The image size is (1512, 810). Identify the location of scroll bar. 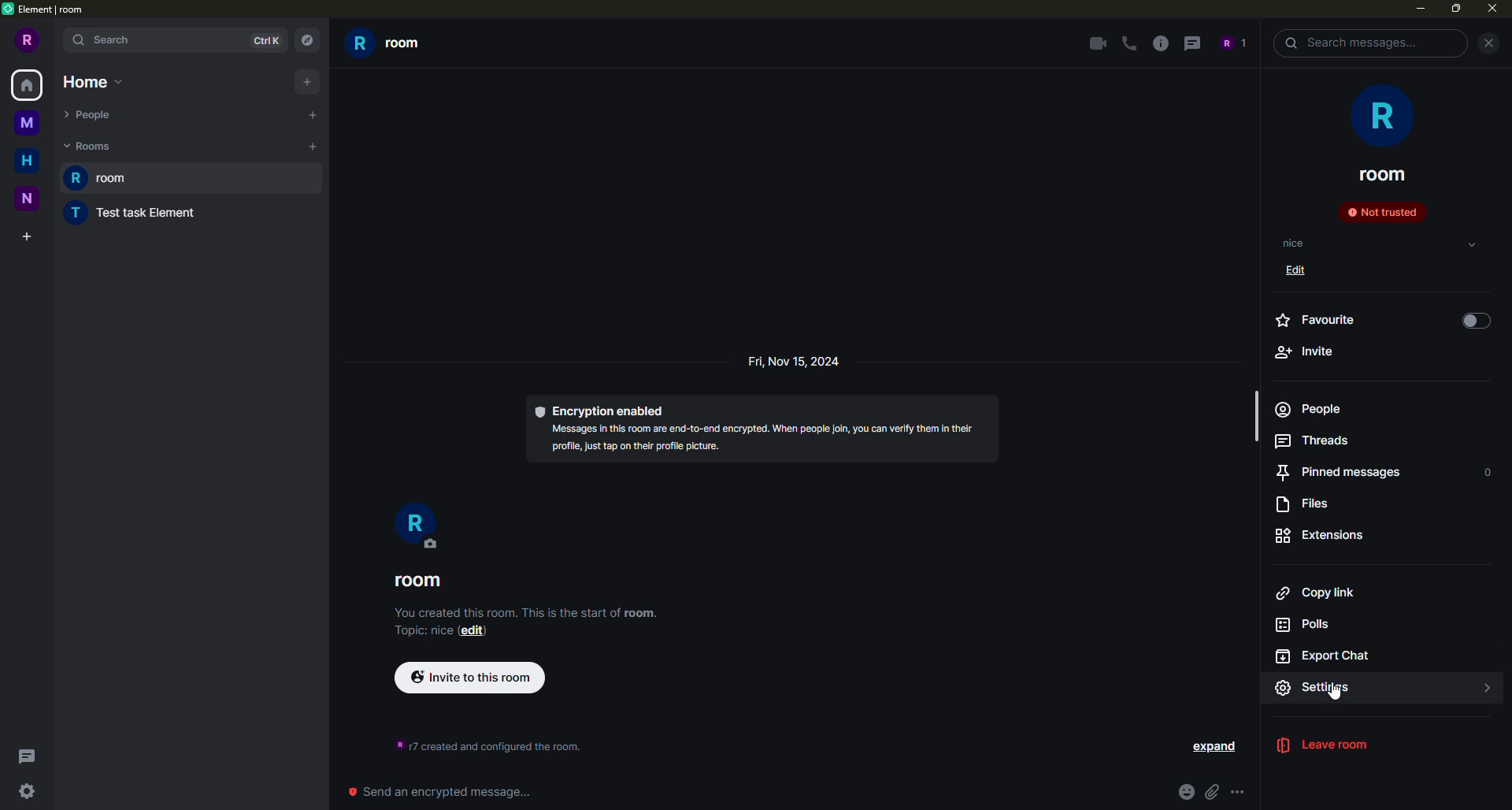
(1255, 422).